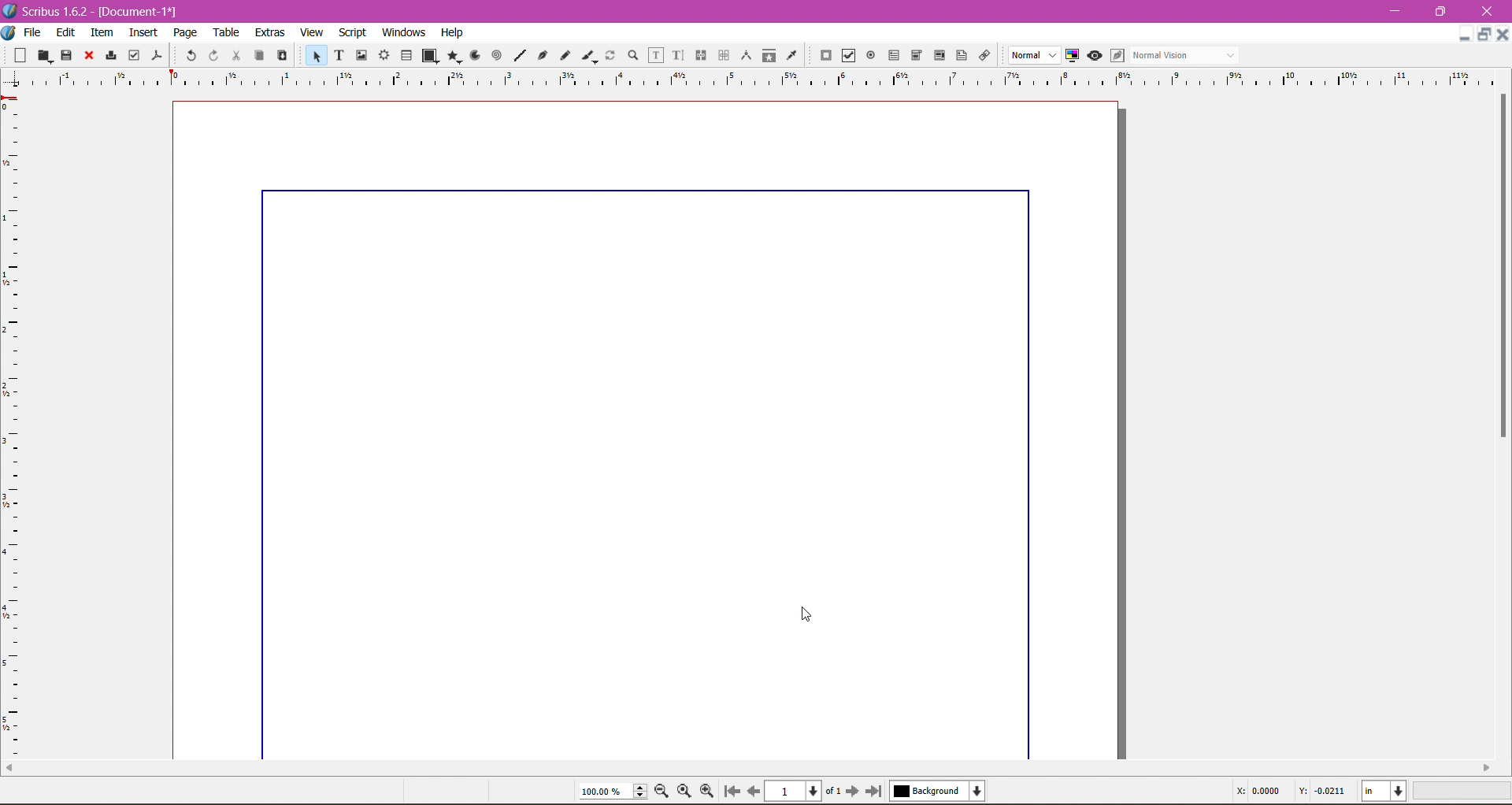  Describe the element at coordinates (474, 55) in the screenshot. I see `Arc` at that location.